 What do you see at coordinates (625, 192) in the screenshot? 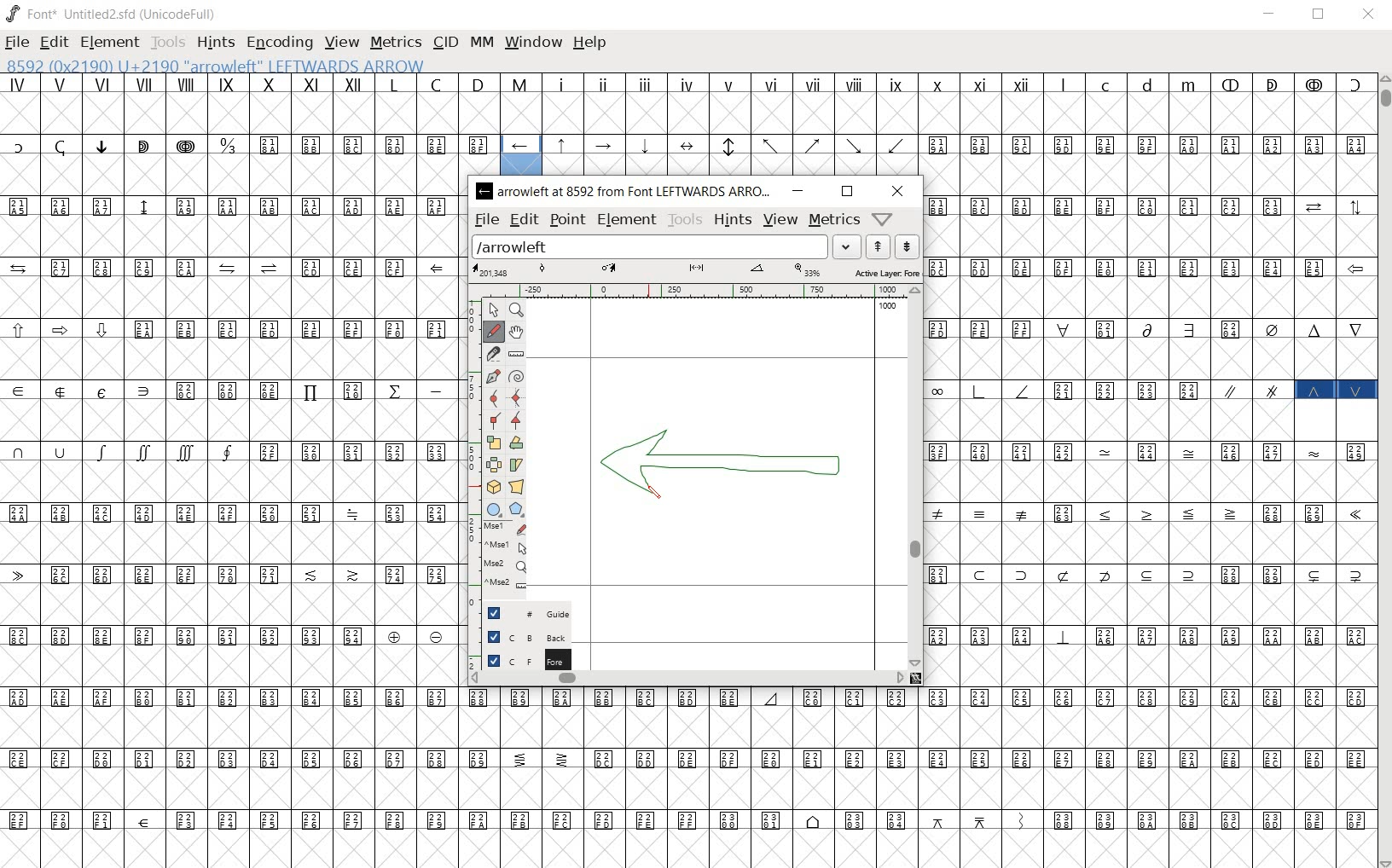
I see `glyph name` at bounding box center [625, 192].